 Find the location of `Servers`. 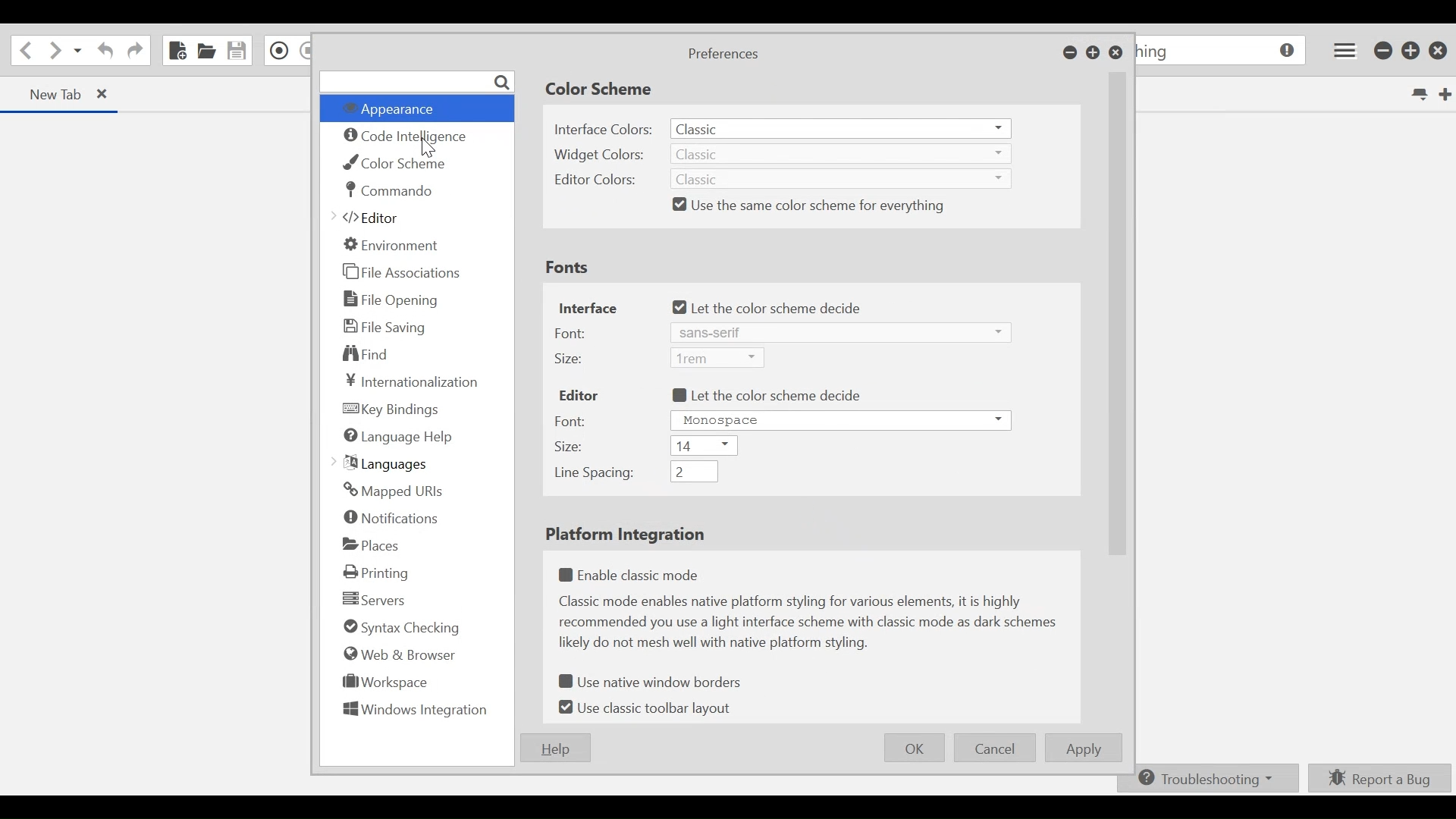

Servers is located at coordinates (374, 600).